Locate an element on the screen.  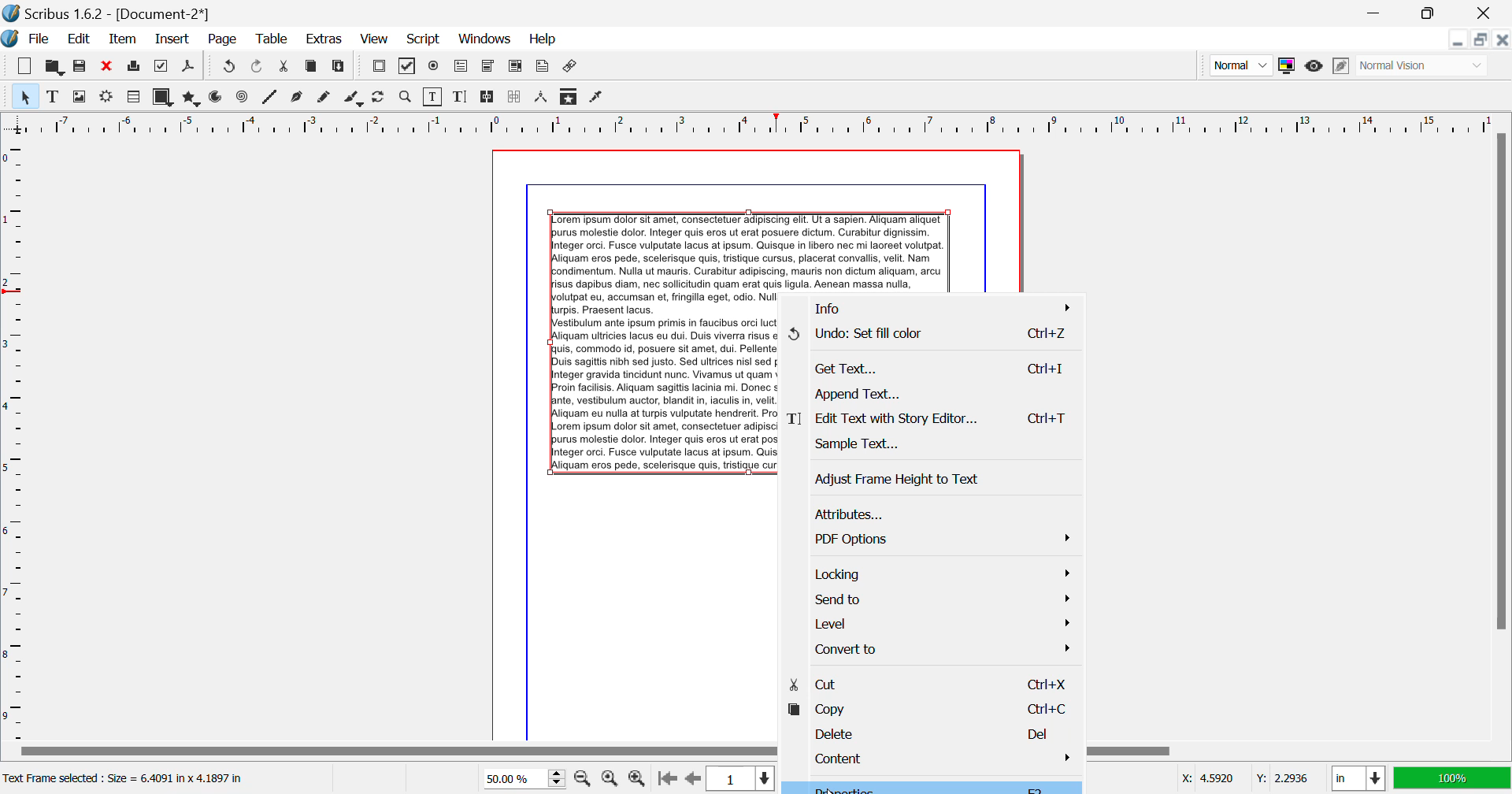
Delete is located at coordinates (928, 730).